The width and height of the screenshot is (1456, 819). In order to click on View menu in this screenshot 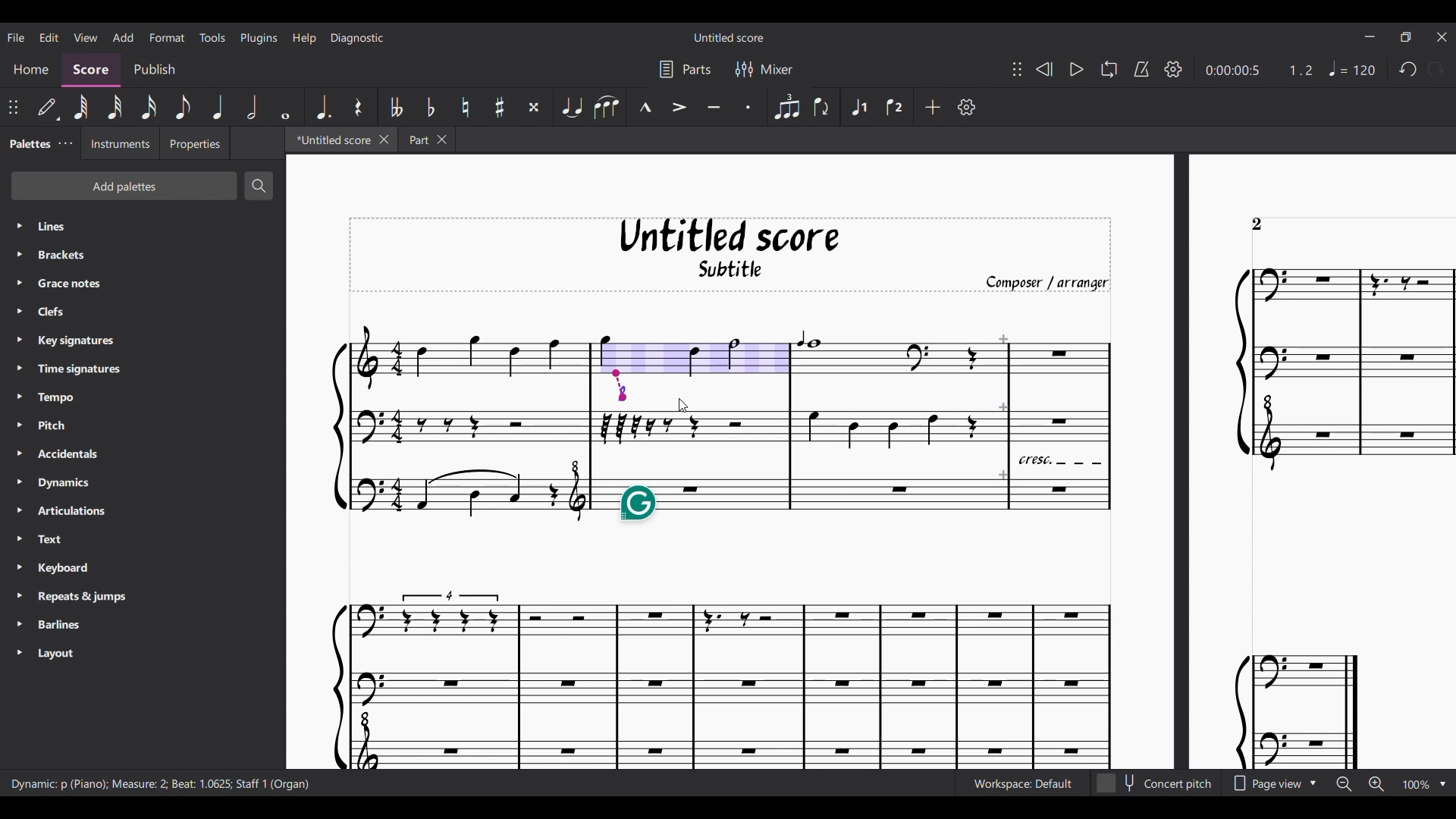, I will do `click(86, 36)`.